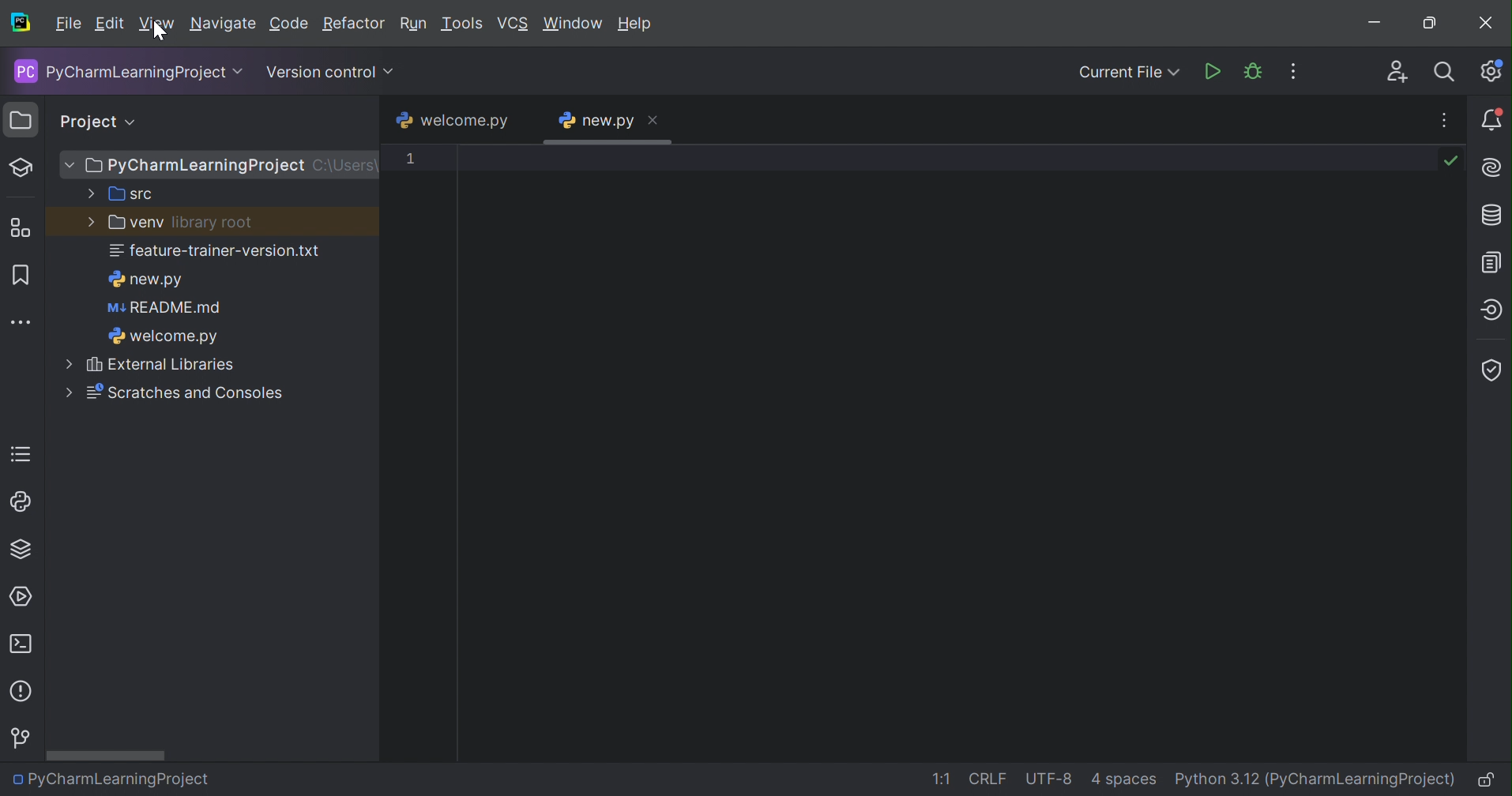 The height and width of the screenshot is (796, 1512). Describe the element at coordinates (162, 338) in the screenshot. I see `welcome.py` at that location.